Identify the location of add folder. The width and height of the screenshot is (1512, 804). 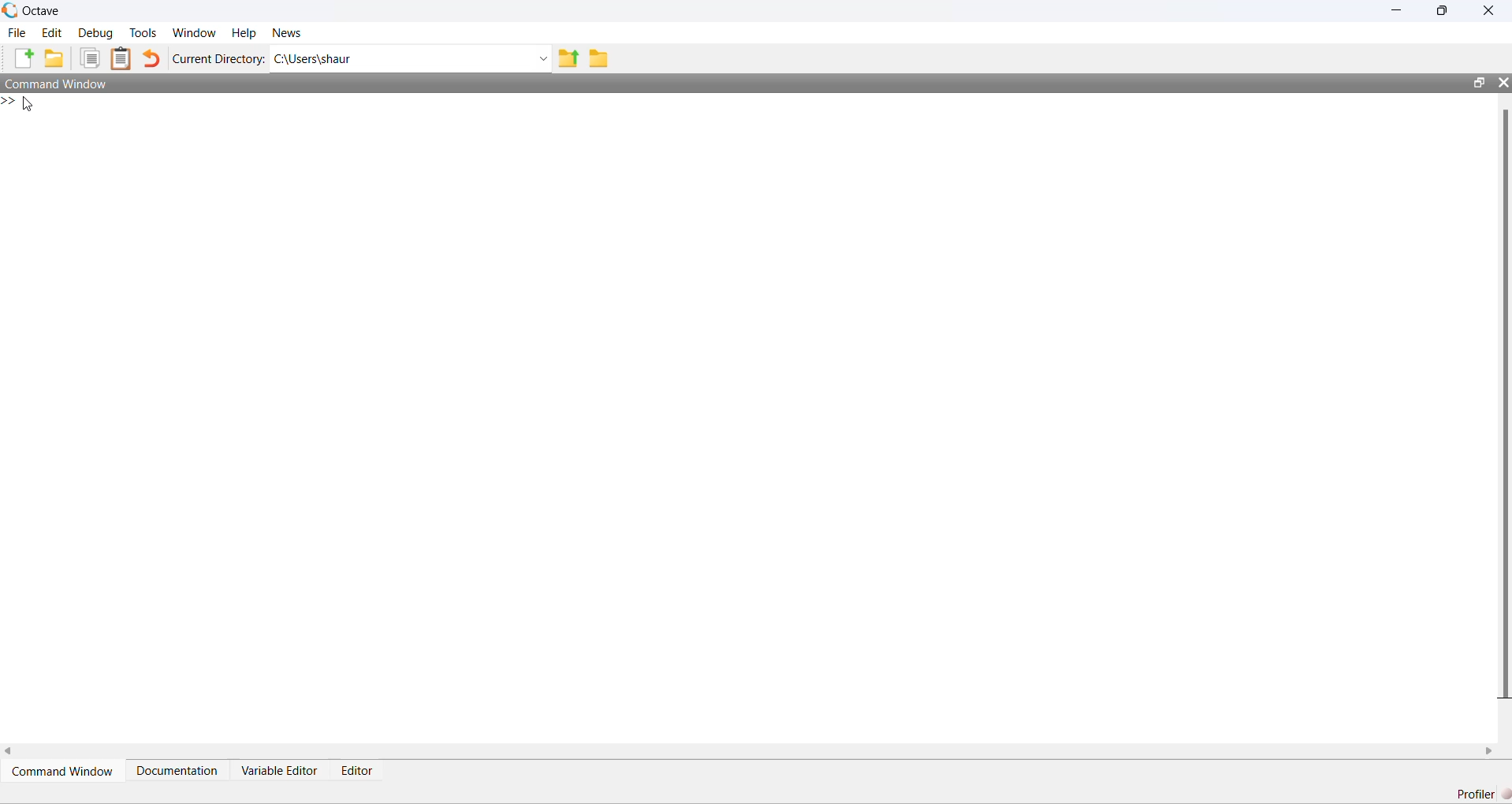
(54, 58).